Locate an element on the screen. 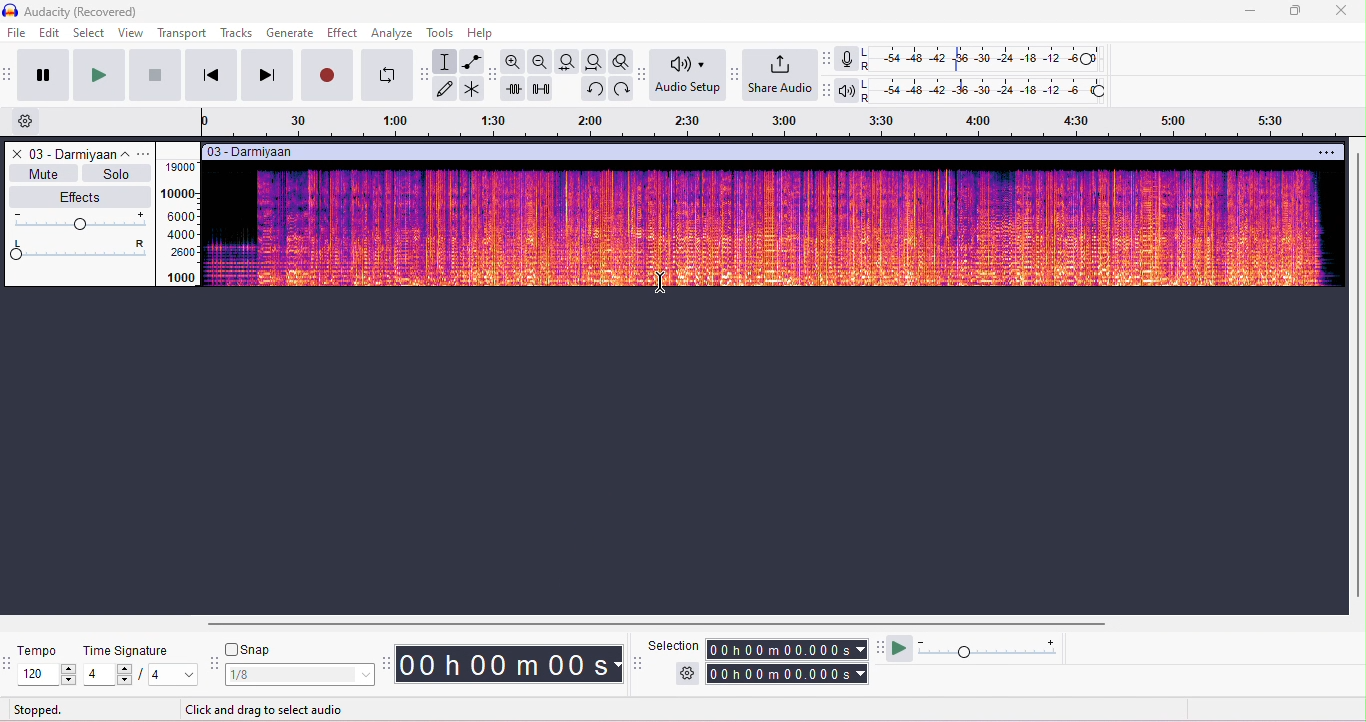 The height and width of the screenshot is (722, 1366). click and drag to select audio is located at coordinates (267, 711).